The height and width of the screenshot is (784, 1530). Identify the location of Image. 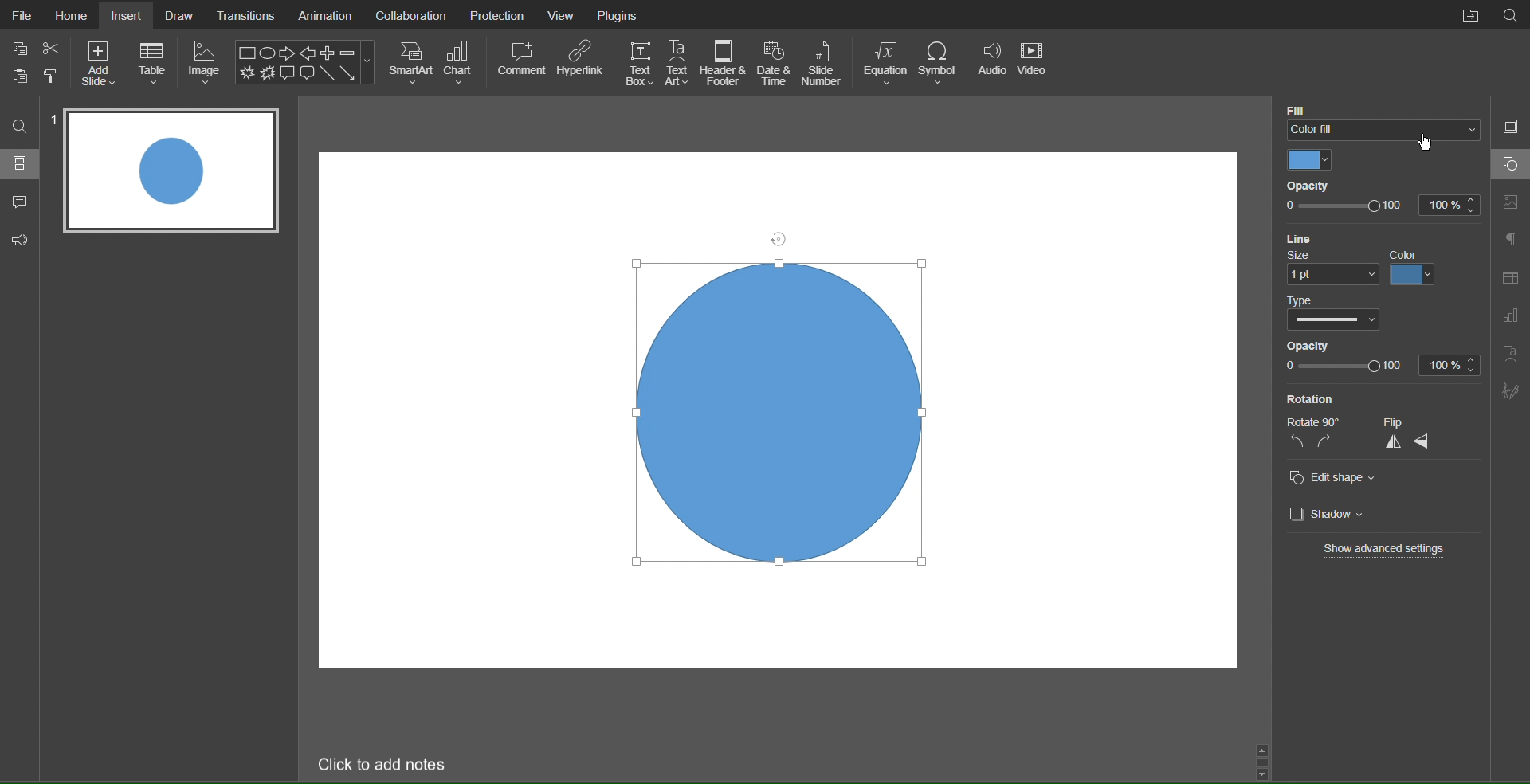
(206, 63).